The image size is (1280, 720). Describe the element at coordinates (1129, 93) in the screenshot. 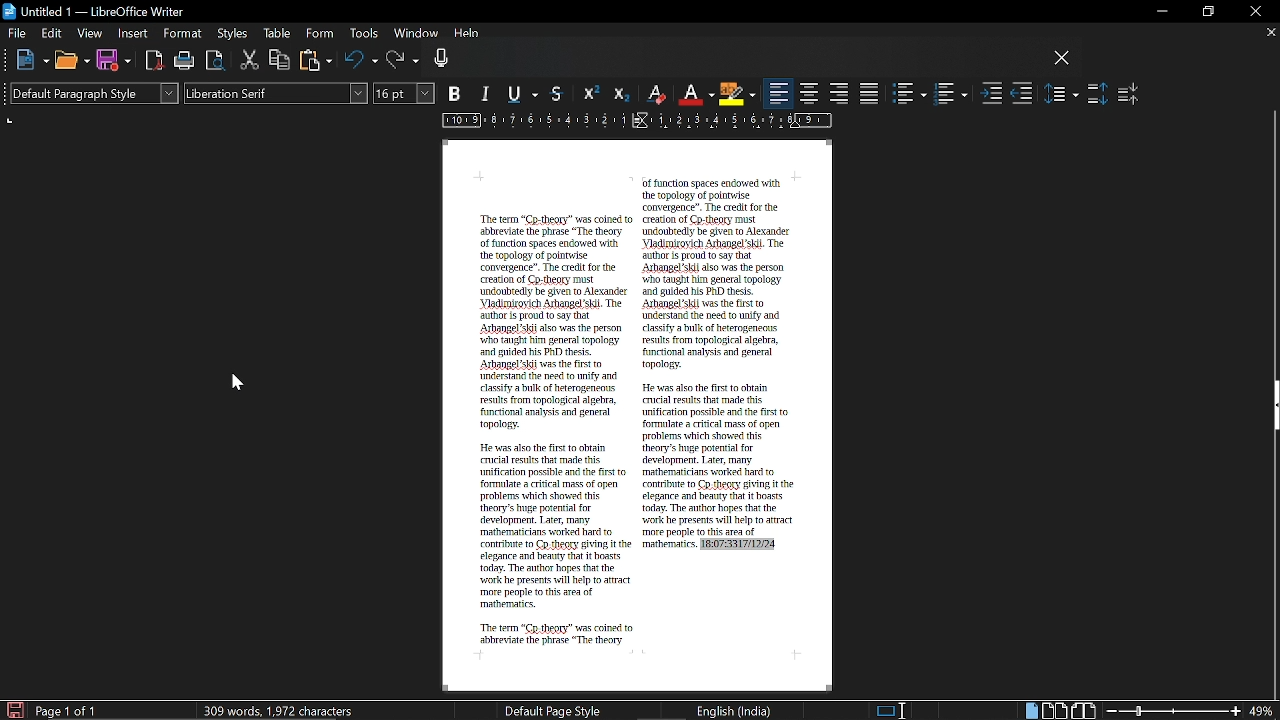

I see `Decrease paragraph spacing` at that location.